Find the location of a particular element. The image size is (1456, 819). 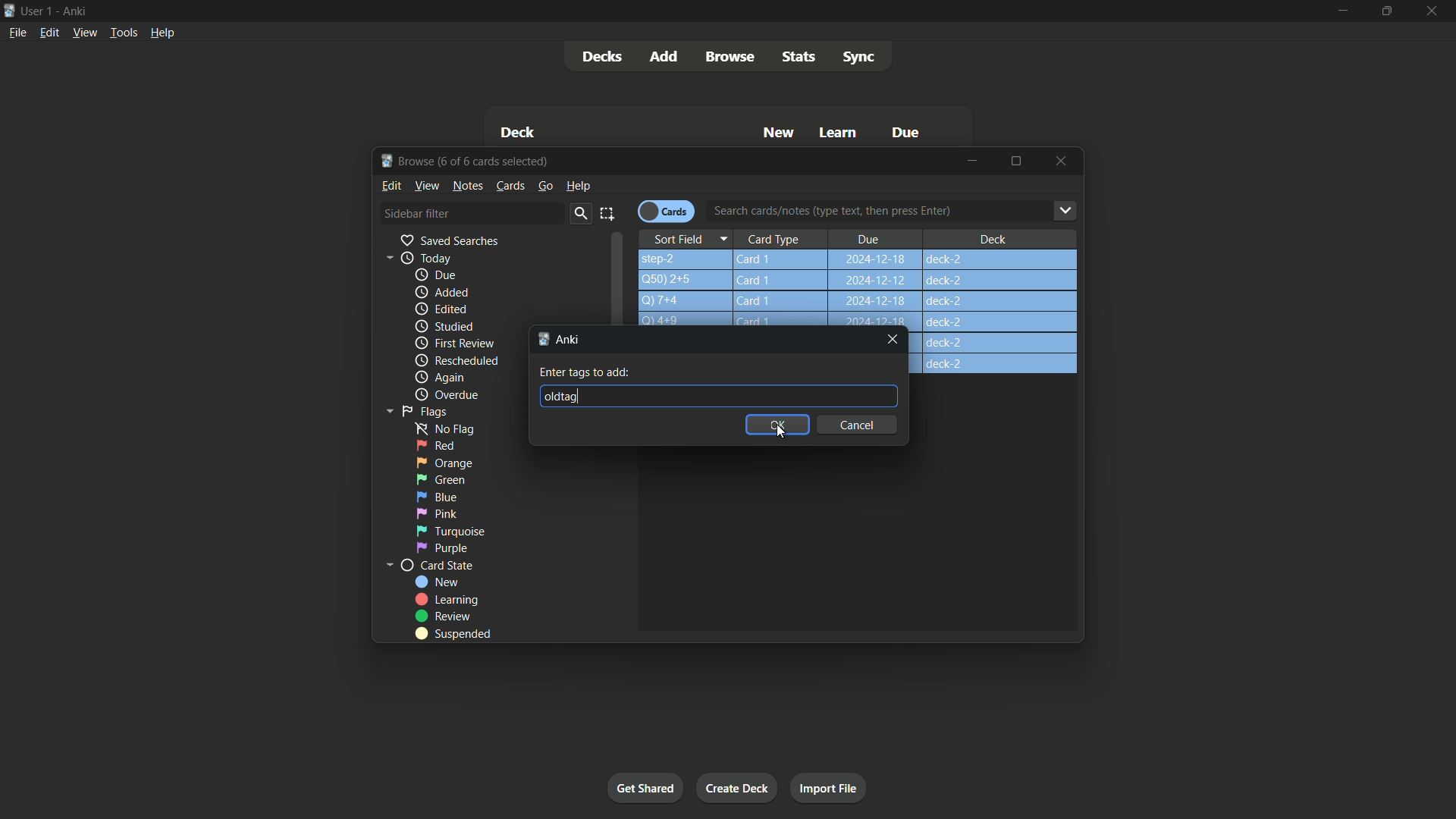

User one is located at coordinates (37, 11).